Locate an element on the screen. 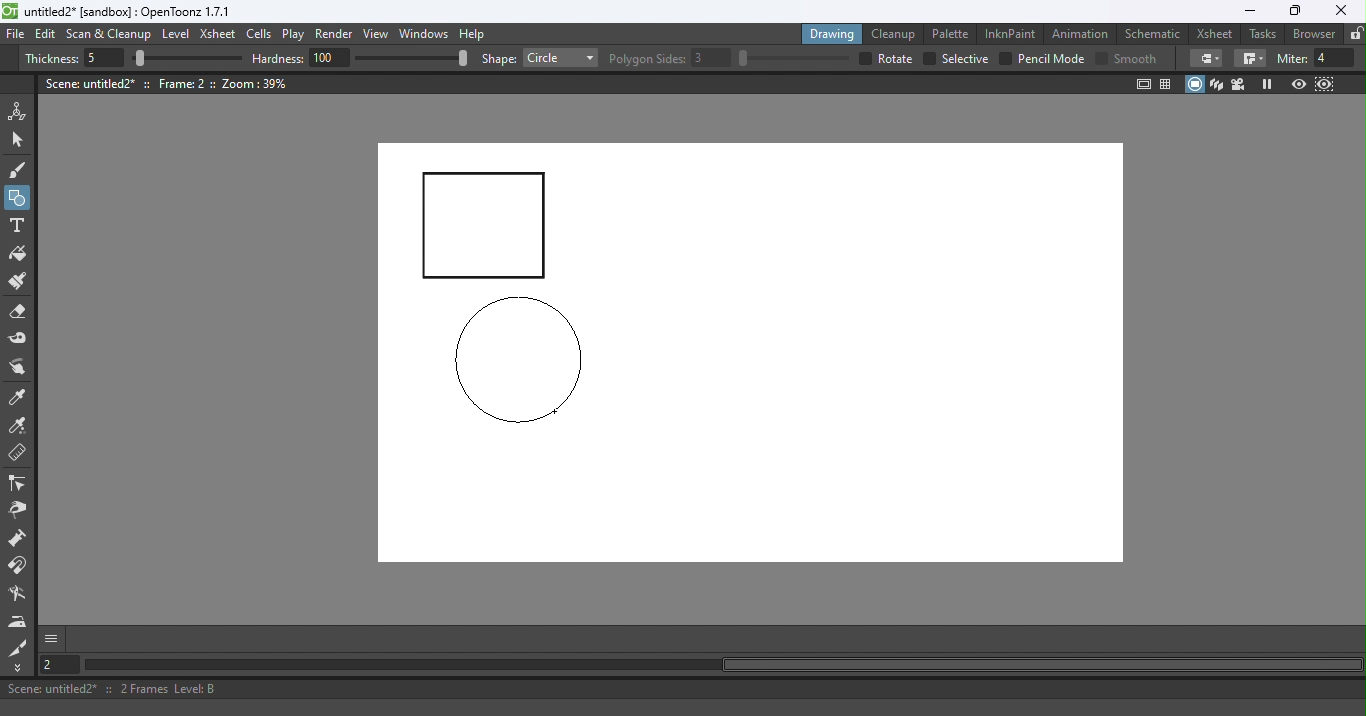 The height and width of the screenshot is (716, 1366). Horizontal scroll bar is located at coordinates (722, 665).